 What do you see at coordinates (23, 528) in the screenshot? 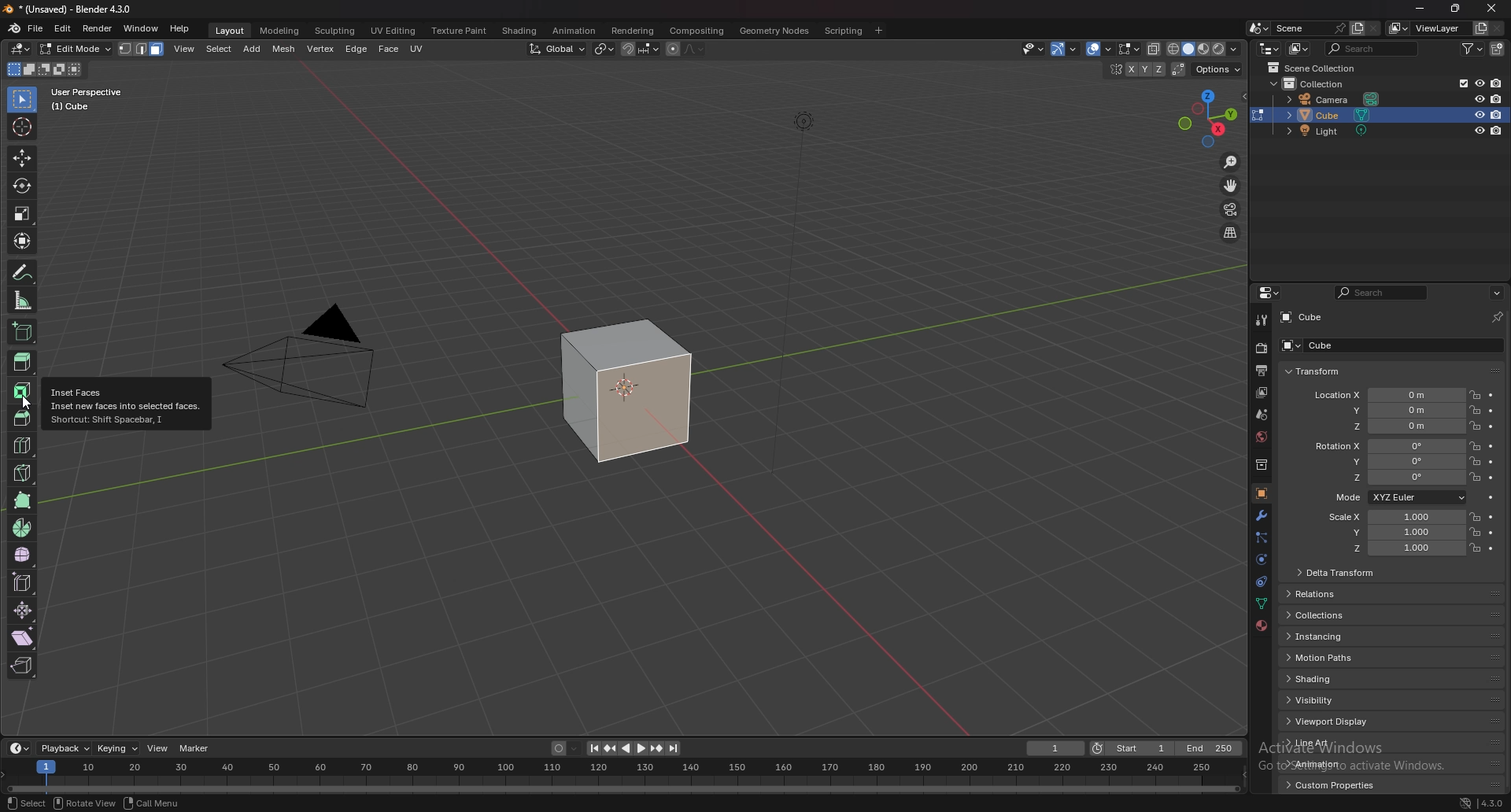
I see `spin` at bounding box center [23, 528].